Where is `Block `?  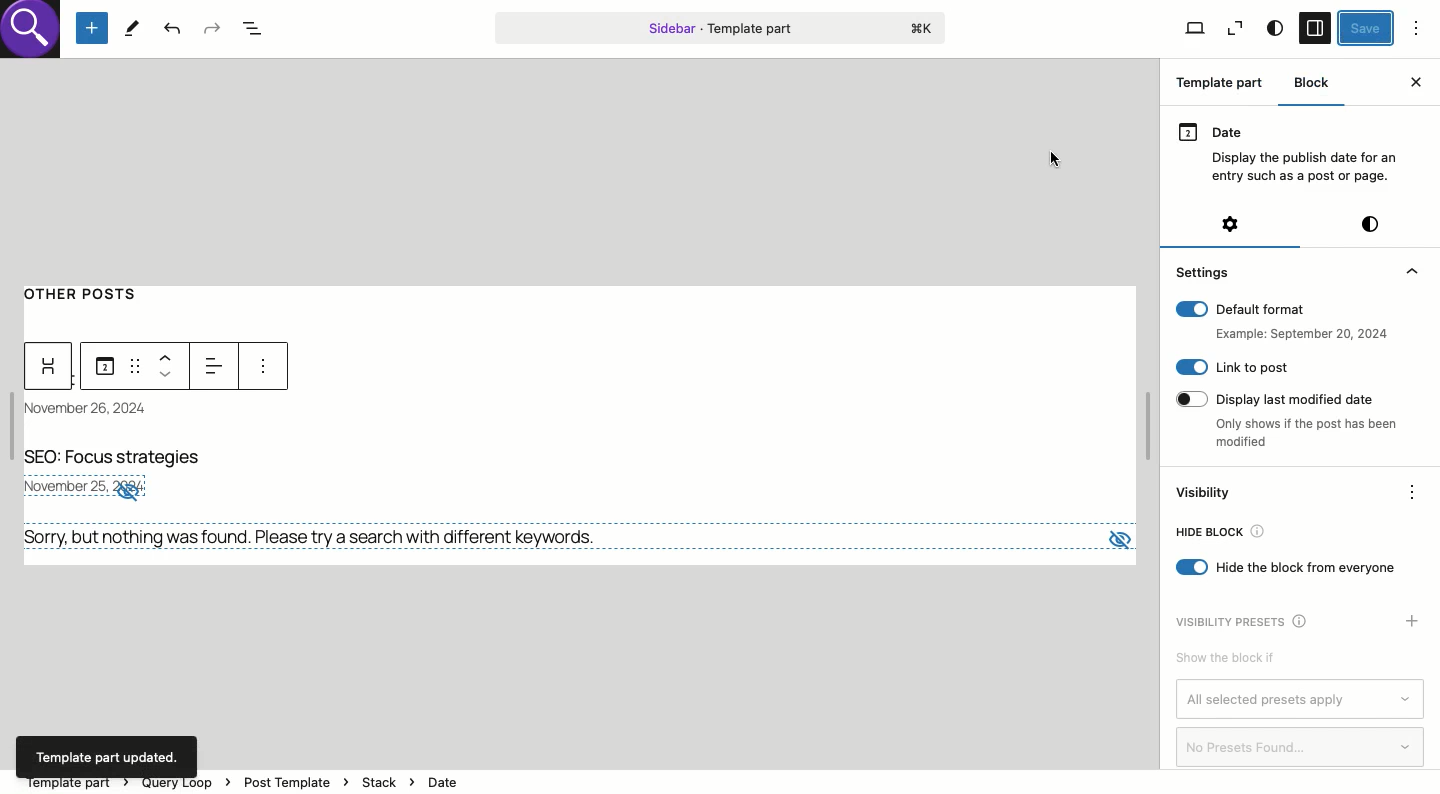 Block  is located at coordinates (1314, 82).